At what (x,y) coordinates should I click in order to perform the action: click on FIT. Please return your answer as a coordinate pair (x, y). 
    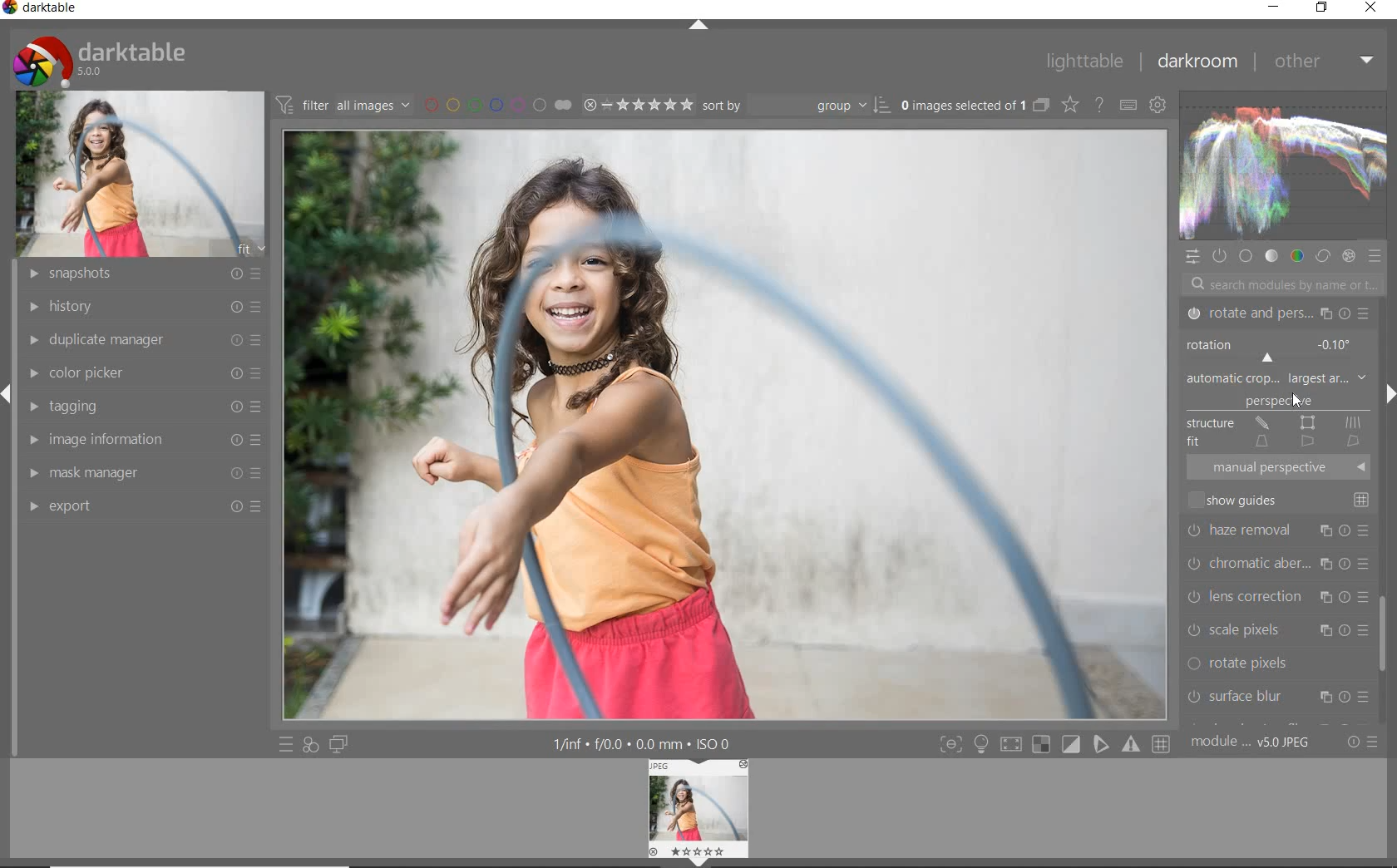
    Looking at the image, I should click on (1276, 441).